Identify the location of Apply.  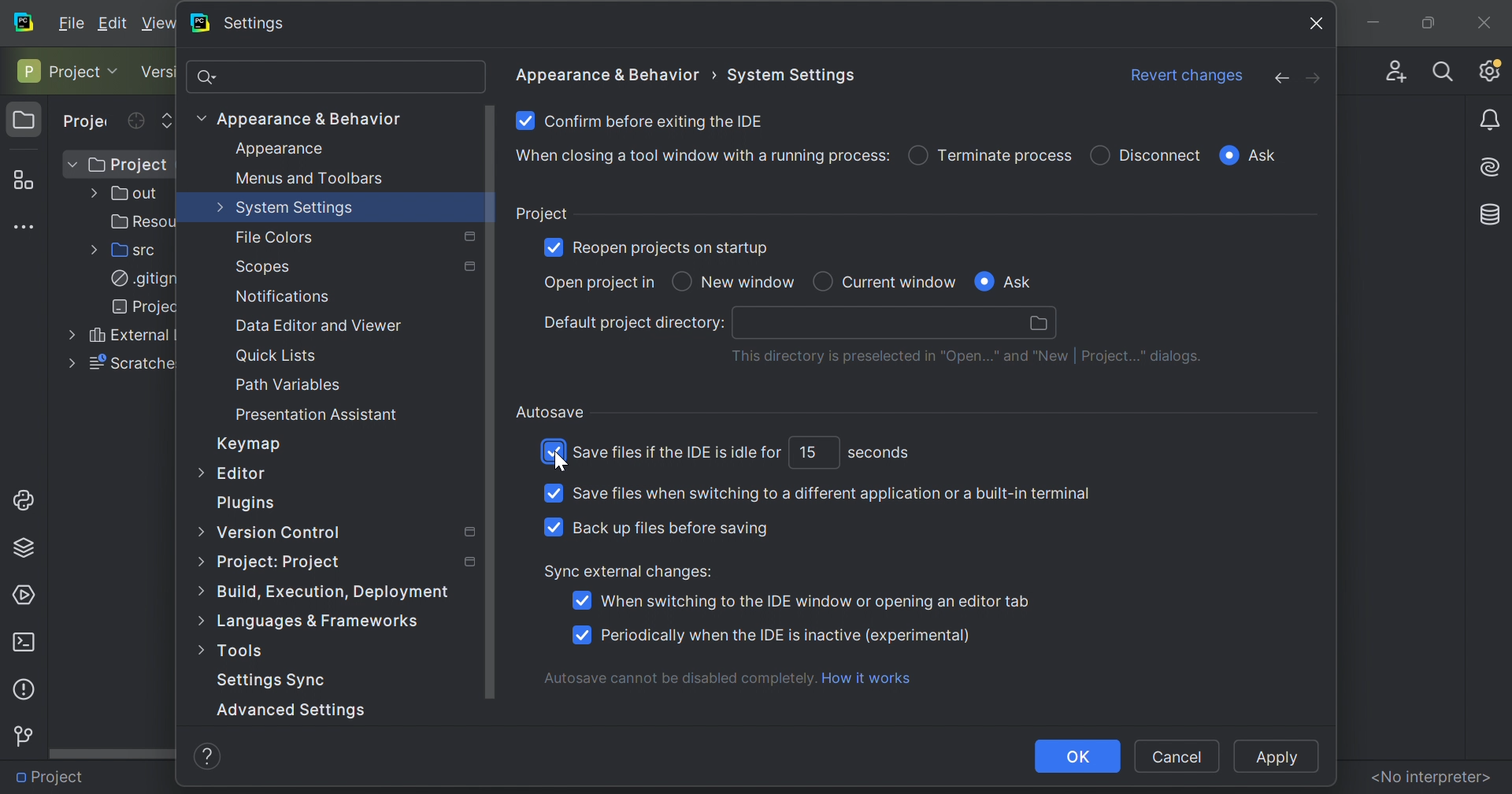
(1272, 758).